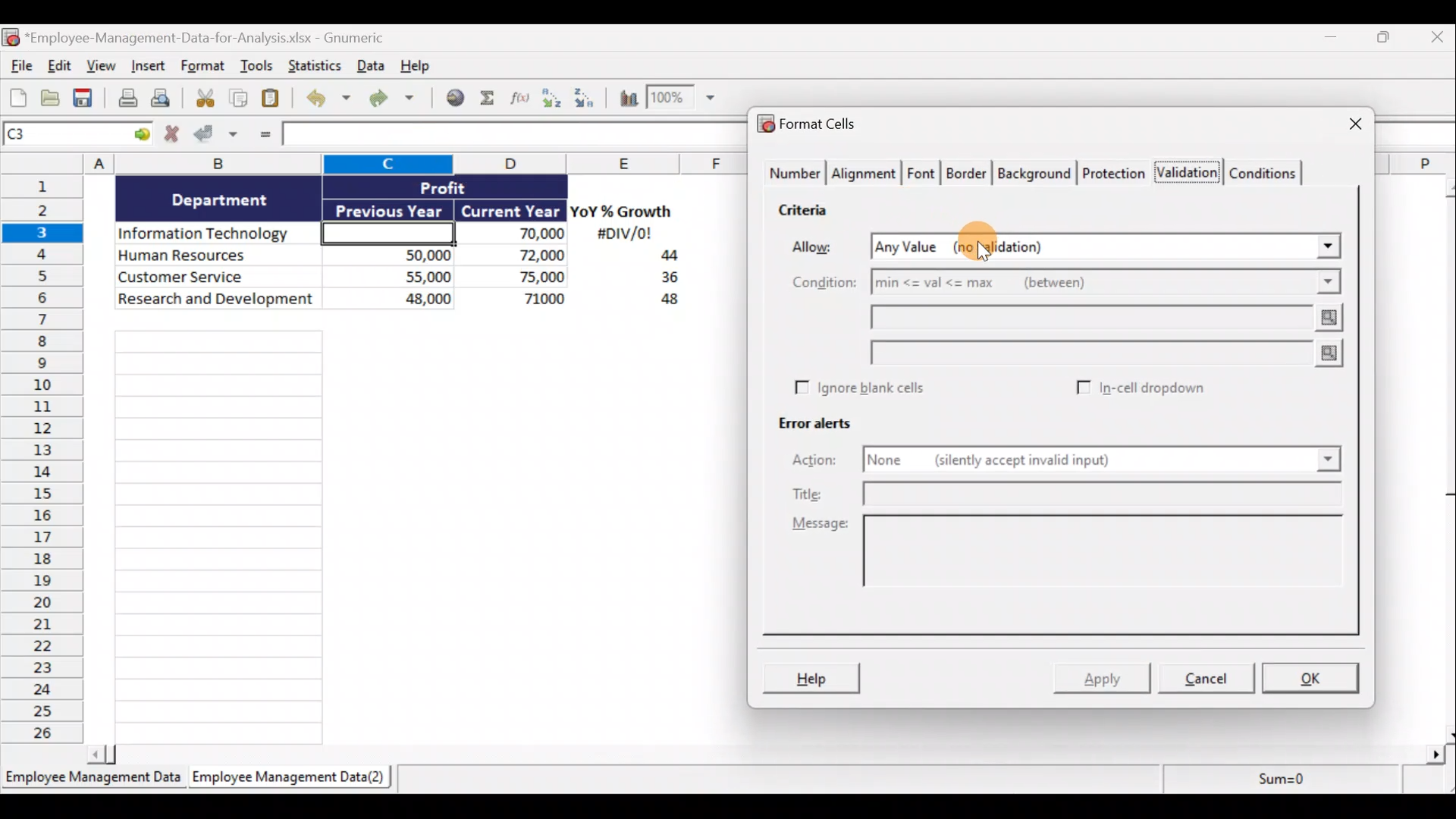  Describe the element at coordinates (521, 97) in the screenshot. I see `Edit a function in the current cell` at that location.